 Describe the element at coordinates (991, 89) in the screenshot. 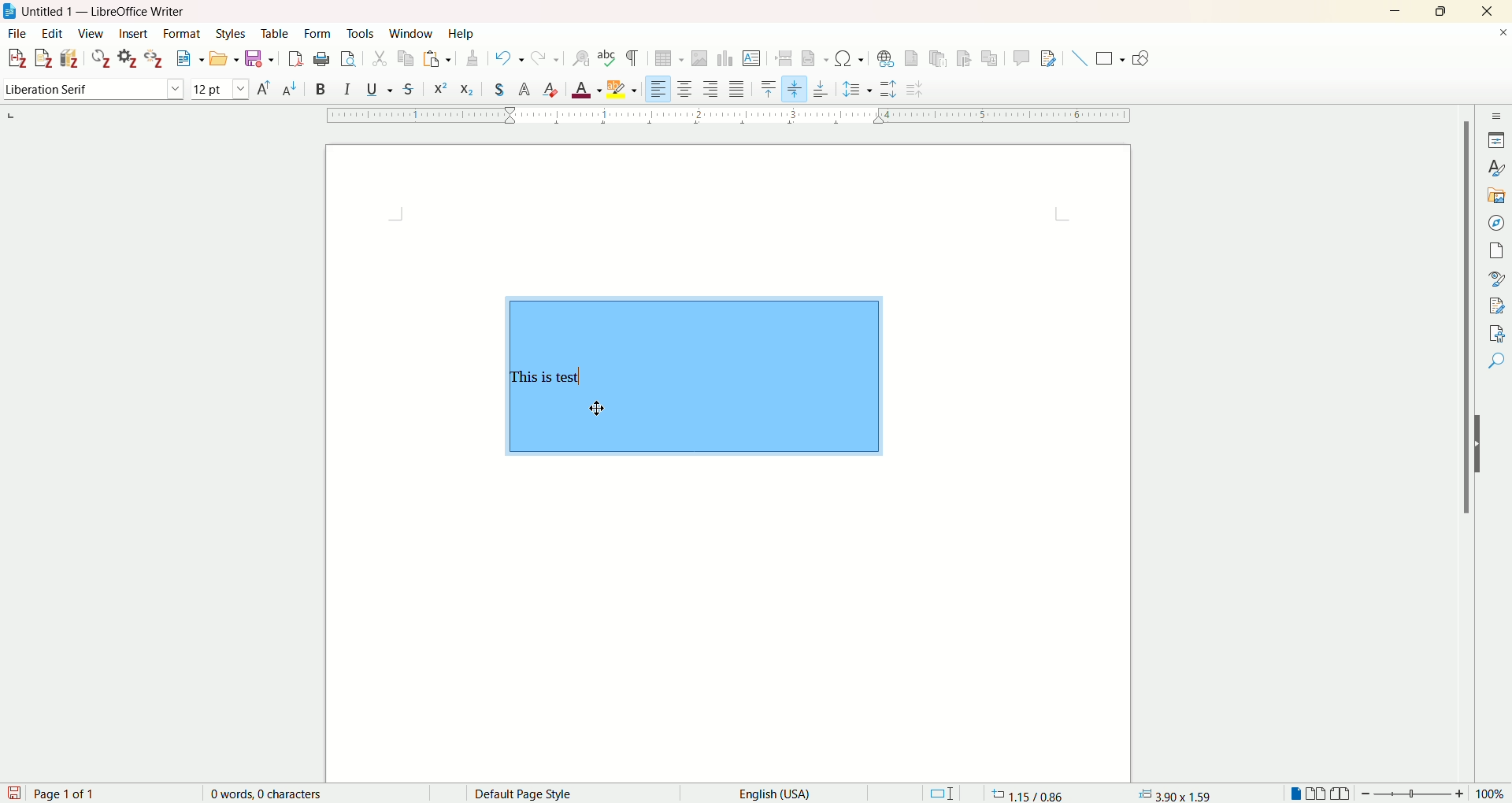

I see `group` at that location.